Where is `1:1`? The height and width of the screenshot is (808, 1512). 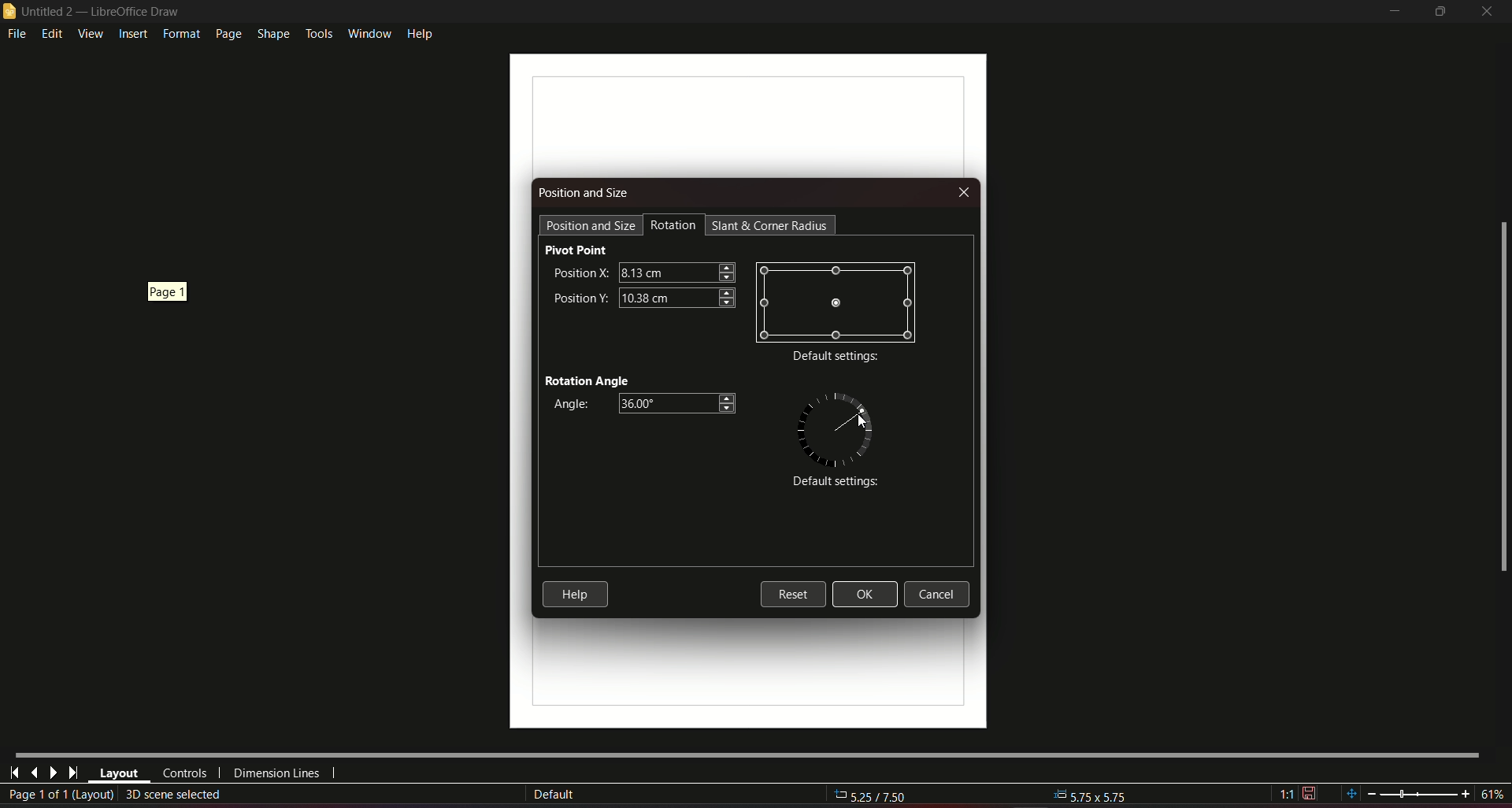 1:1 is located at coordinates (1298, 794).